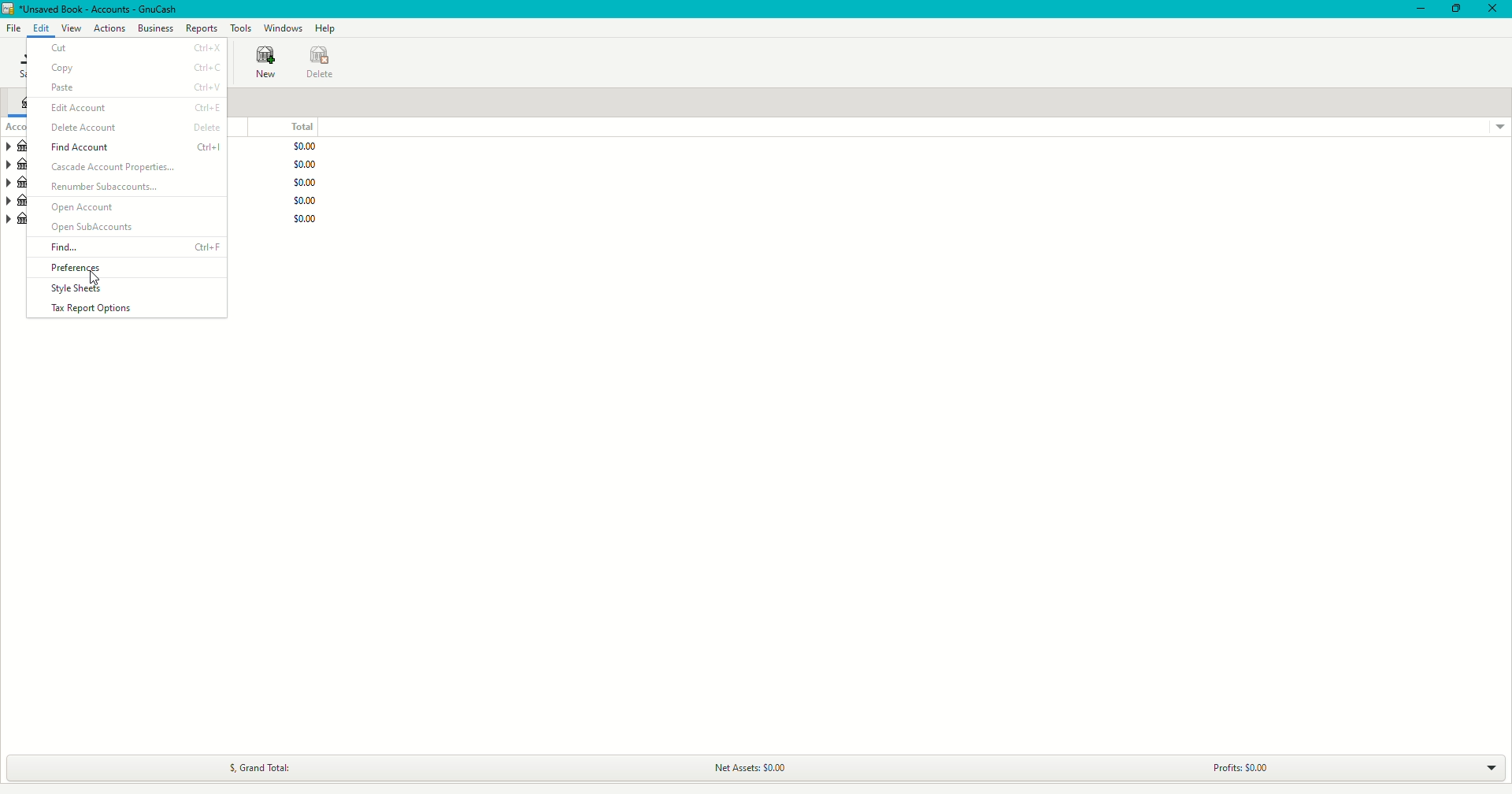 The image size is (1512, 794). Describe the element at coordinates (1417, 10) in the screenshot. I see `Minimize` at that location.